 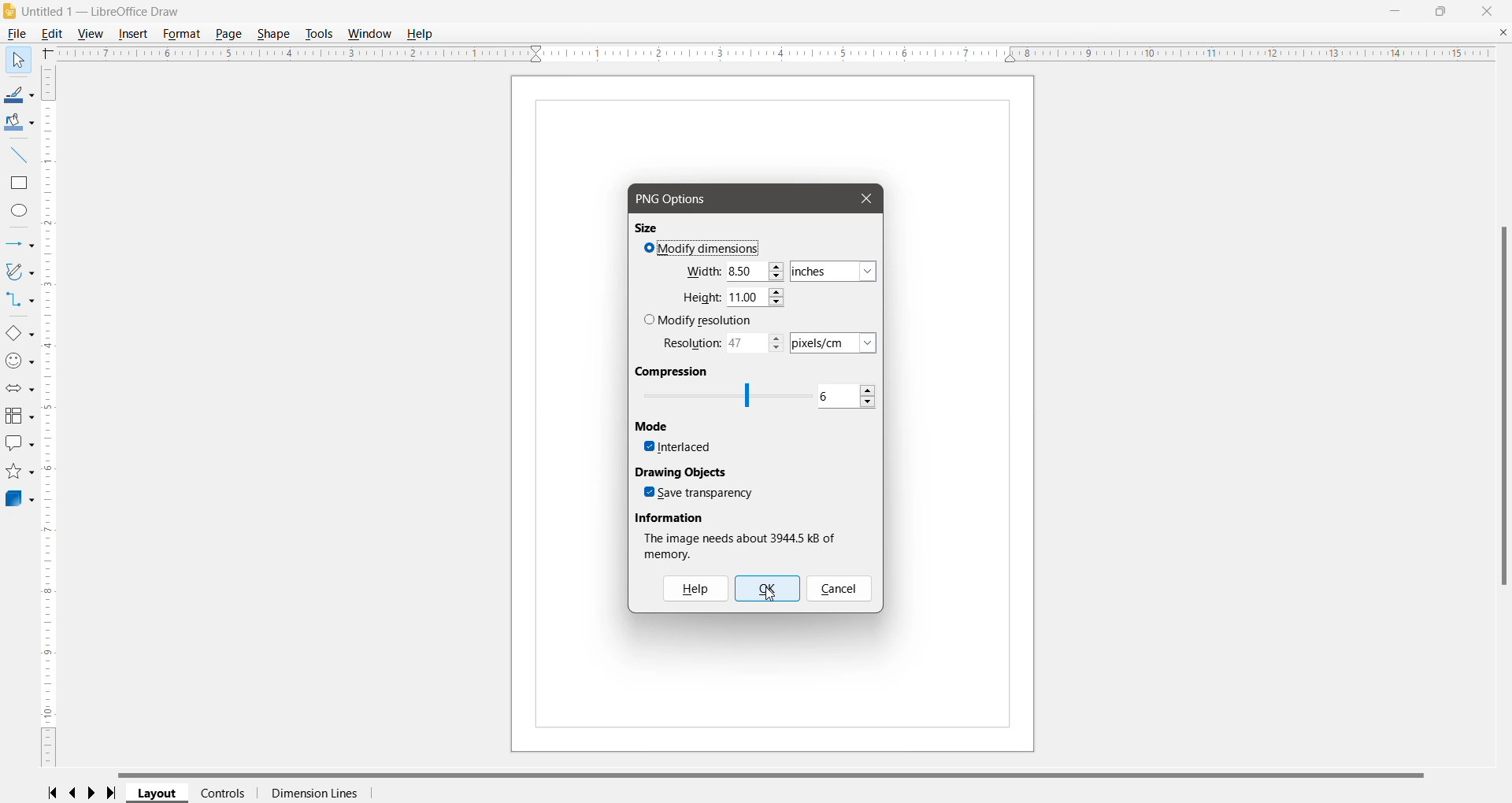 What do you see at coordinates (740, 536) in the screenshot?
I see `Image information` at bounding box center [740, 536].